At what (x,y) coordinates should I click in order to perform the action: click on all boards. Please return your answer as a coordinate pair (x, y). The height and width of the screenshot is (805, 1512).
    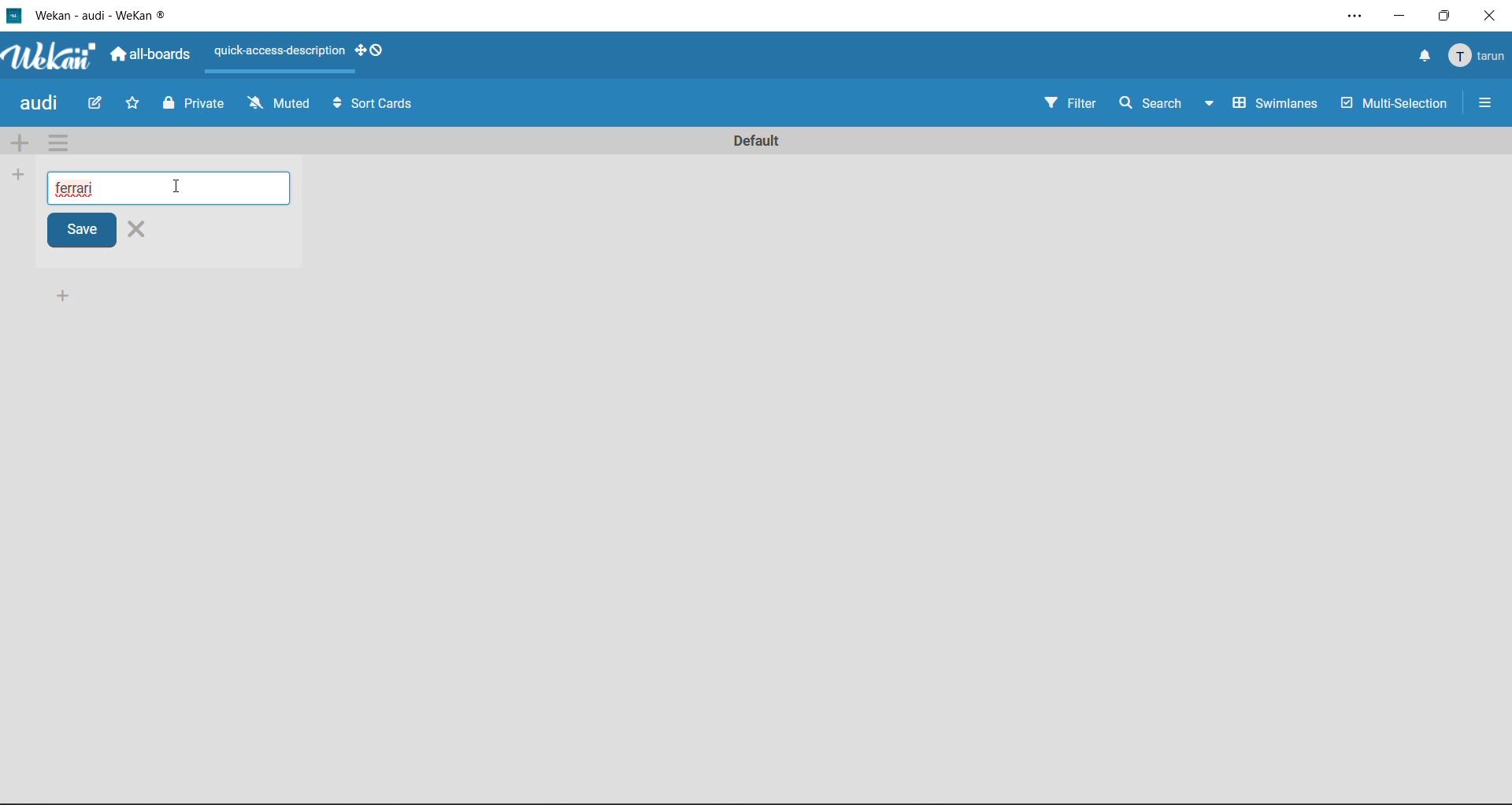
    Looking at the image, I should click on (151, 56).